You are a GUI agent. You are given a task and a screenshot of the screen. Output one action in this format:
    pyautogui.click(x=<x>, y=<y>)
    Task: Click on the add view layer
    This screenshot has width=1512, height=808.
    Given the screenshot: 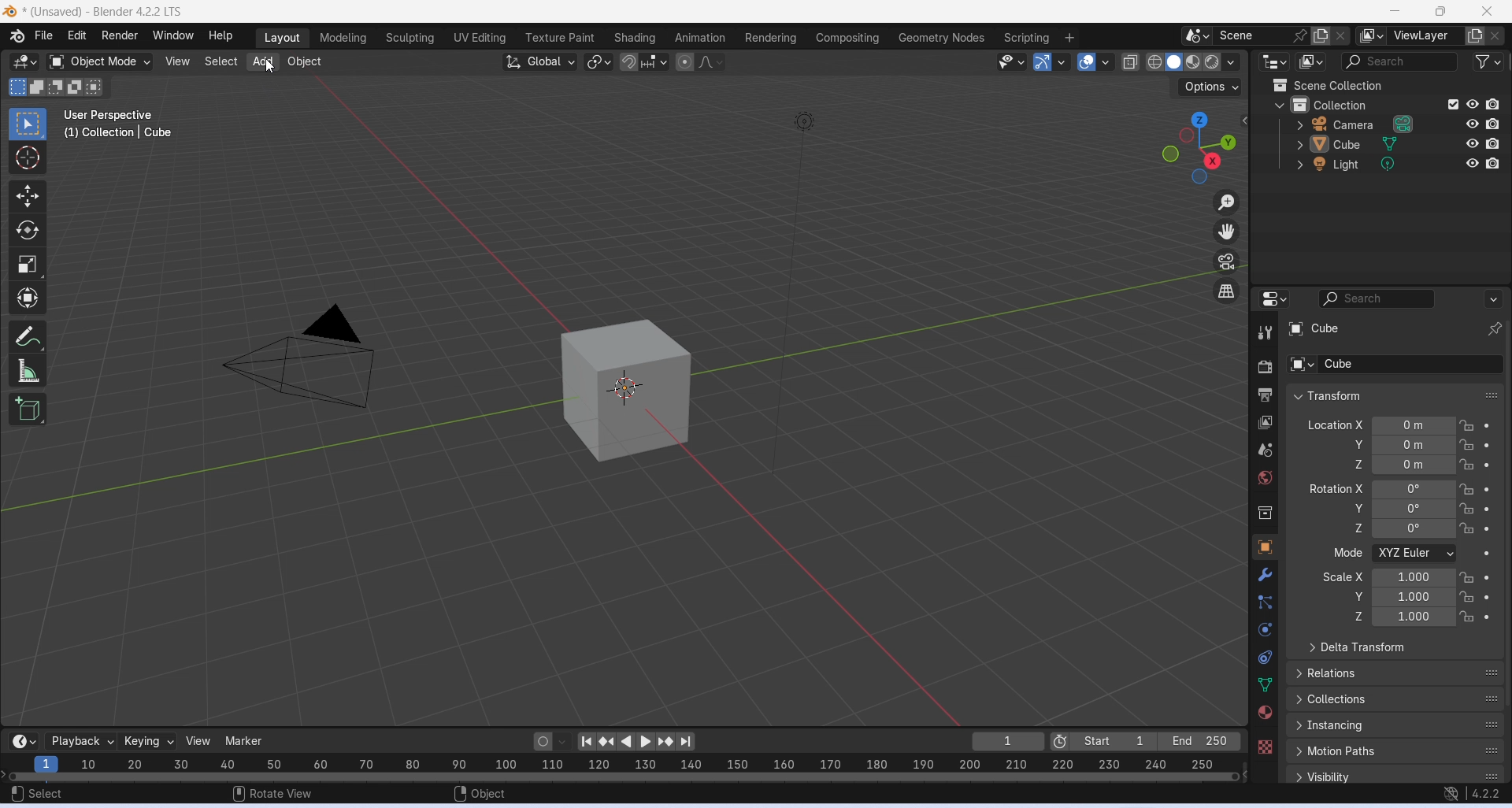 What is the action you would take?
    pyautogui.click(x=1475, y=35)
    